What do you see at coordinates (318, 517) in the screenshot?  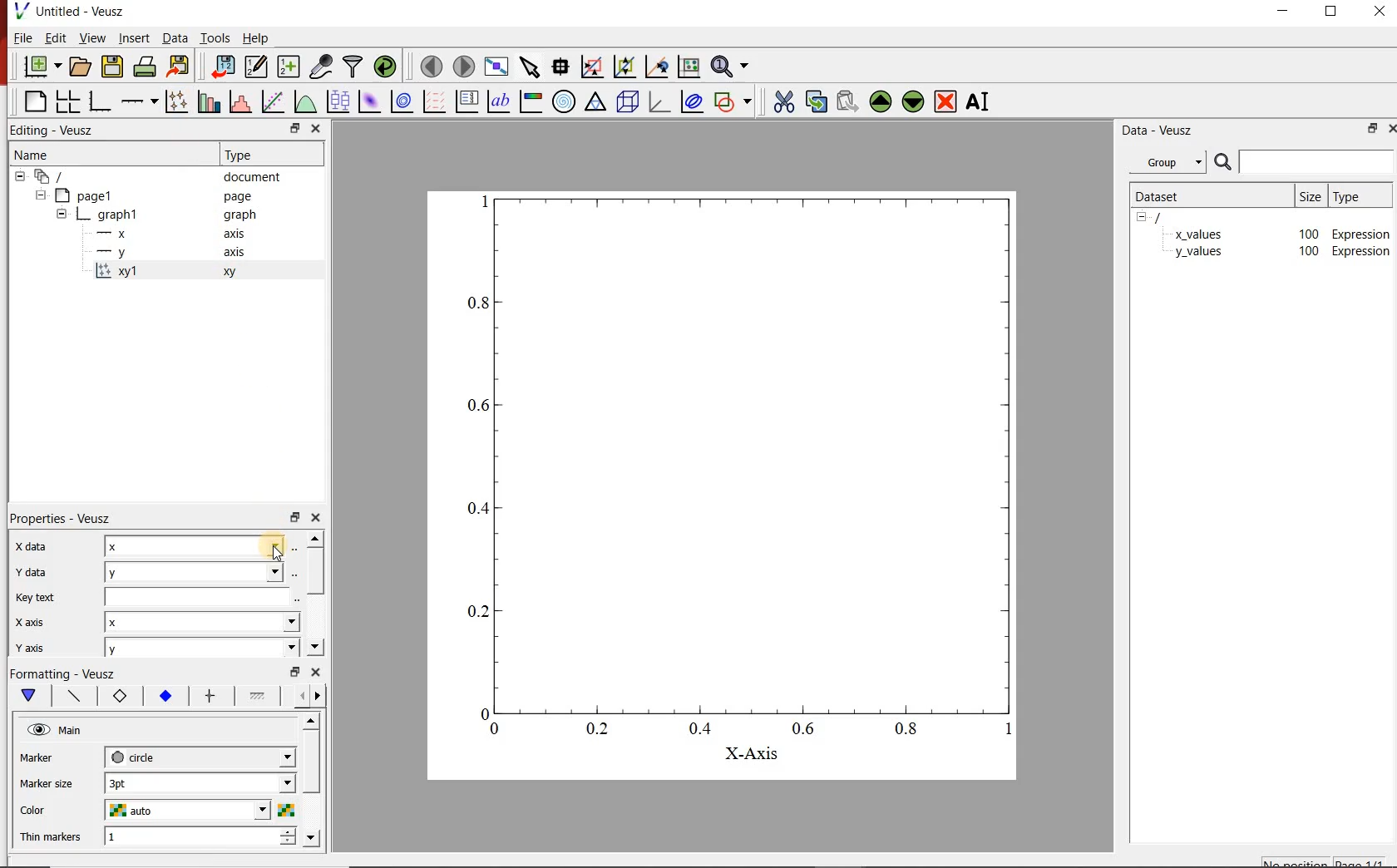 I see `close` at bounding box center [318, 517].